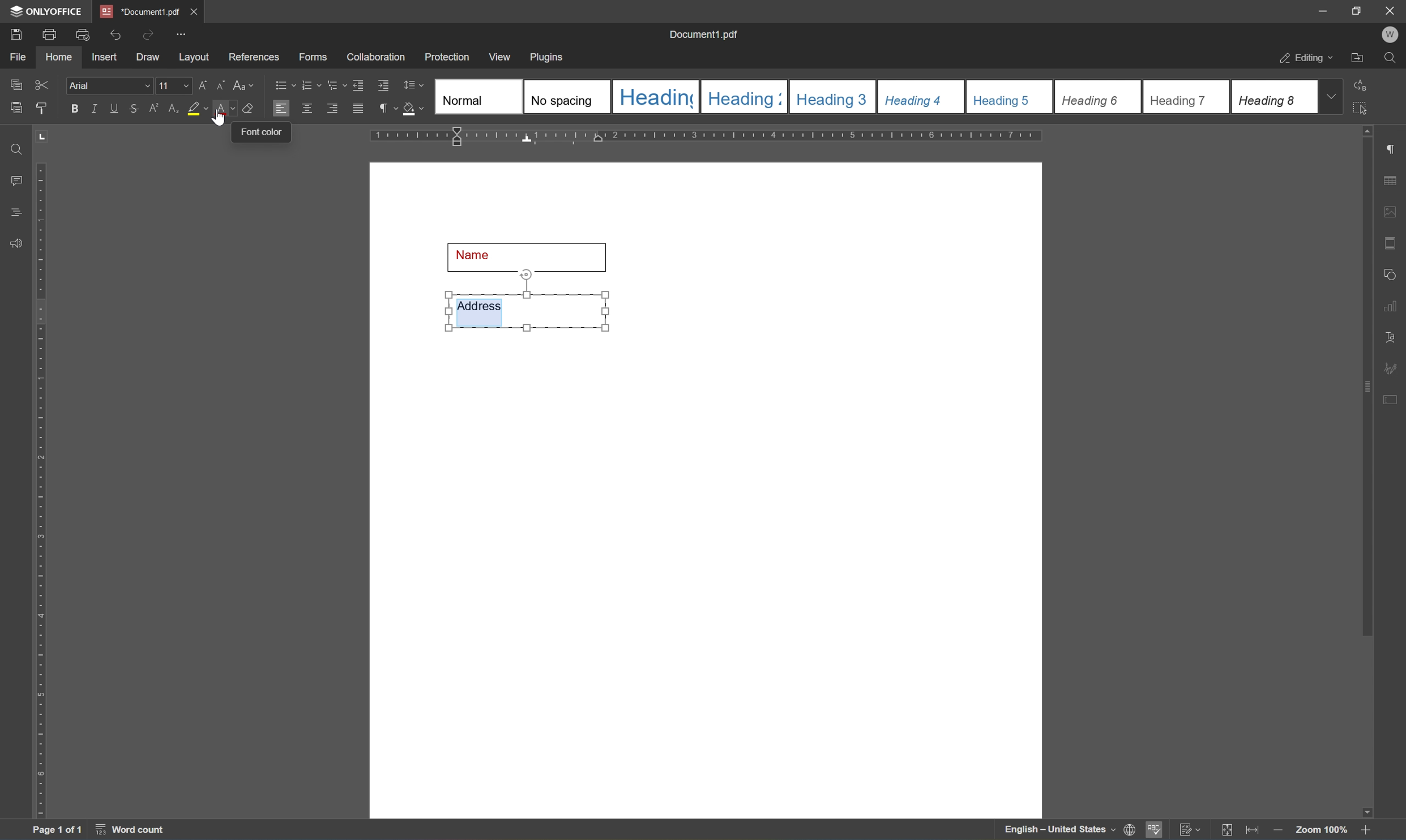 Image resolution: width=1406 pixels, height=840 pixels. Describe the element at coordinates (62, 59) in the screenshot. I see `home` at that location.